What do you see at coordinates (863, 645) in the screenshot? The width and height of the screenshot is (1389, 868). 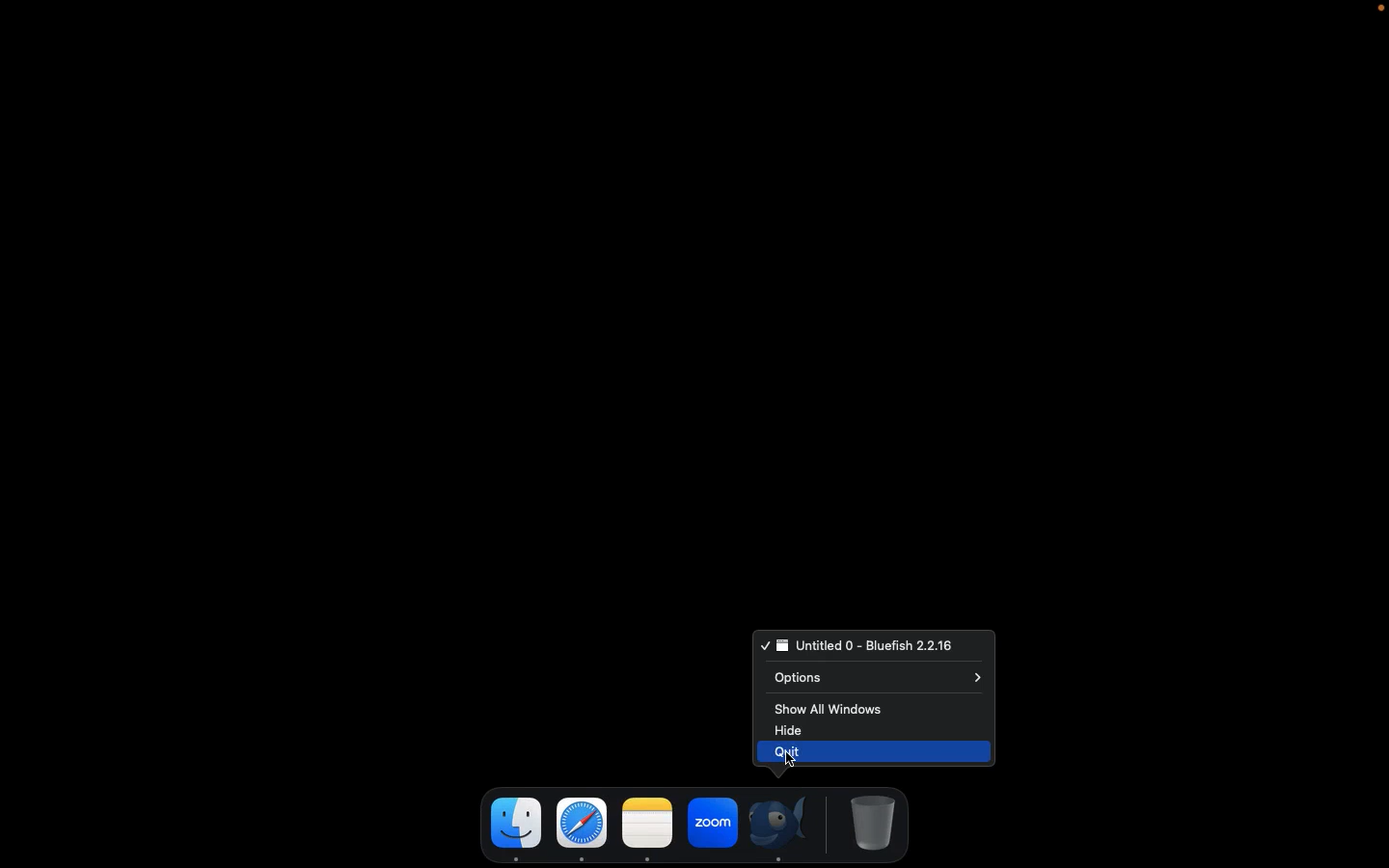 I see `Bluefish` at bounding box center [863, 645].